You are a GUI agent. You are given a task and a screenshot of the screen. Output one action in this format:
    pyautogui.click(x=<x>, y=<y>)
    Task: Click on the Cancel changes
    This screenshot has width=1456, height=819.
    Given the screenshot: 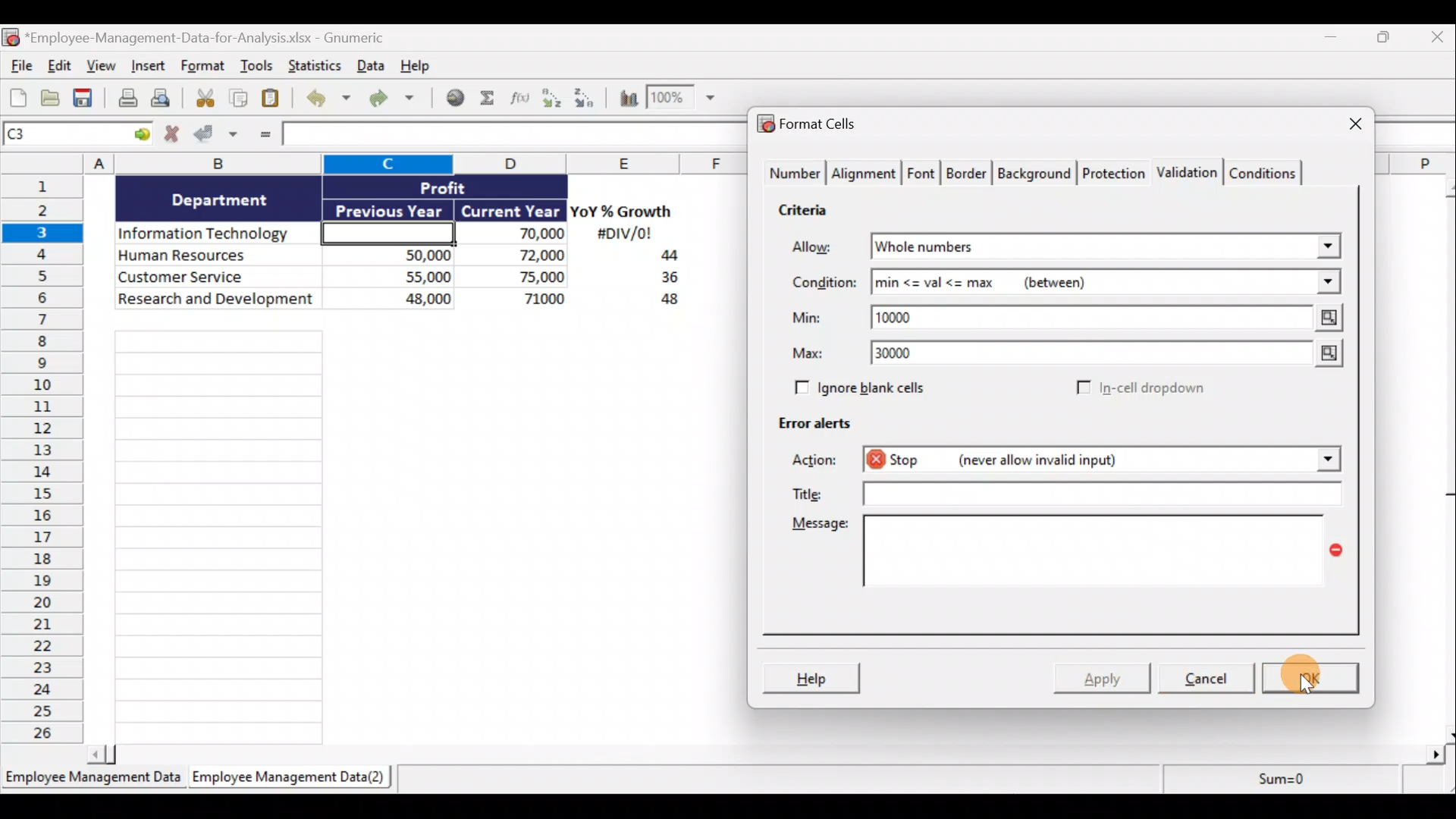 What is the action you would take?
    pyautogui.click(x=172, y=136)
    